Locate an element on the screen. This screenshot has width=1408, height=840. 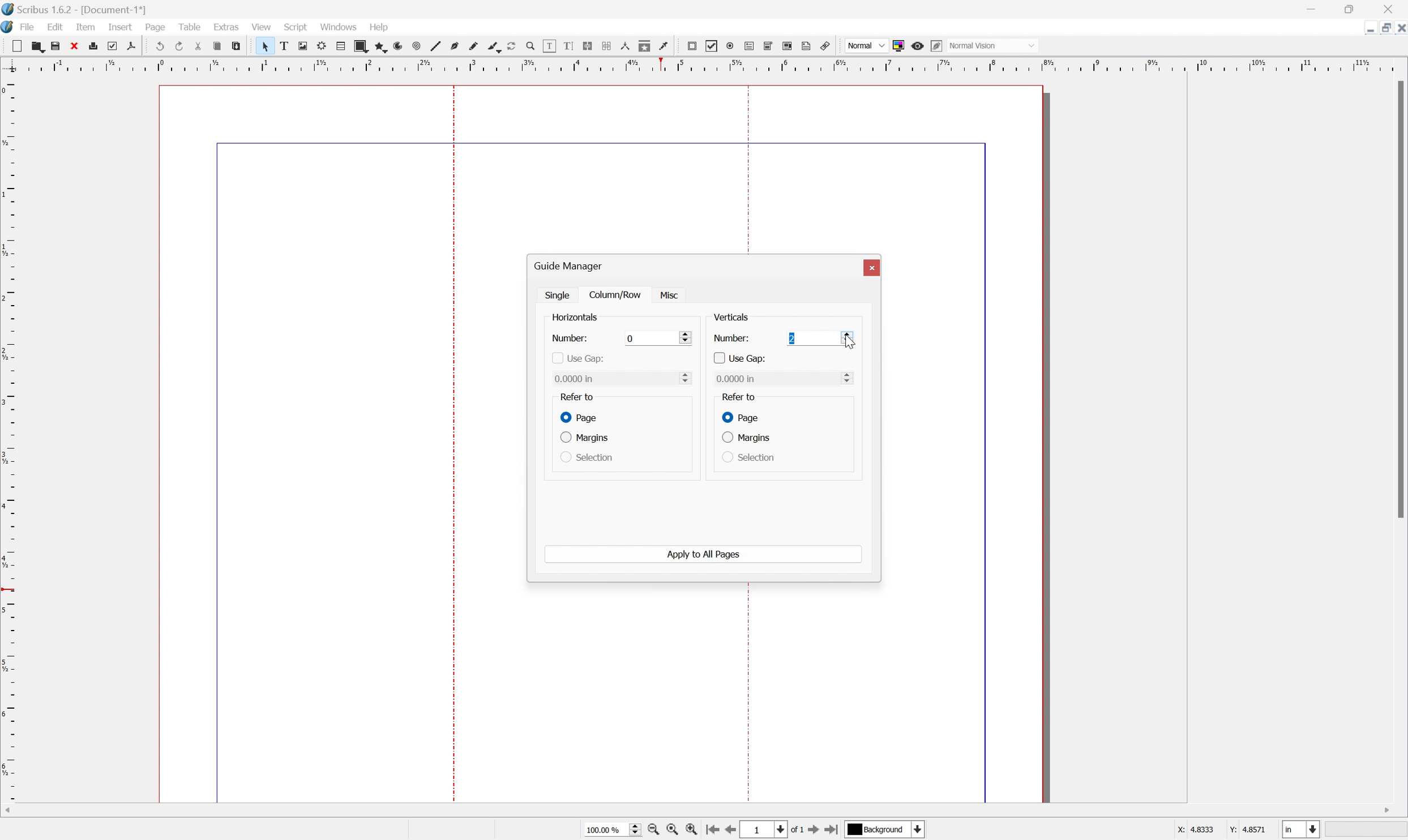
freehand line is located at coordinates (474, 47).